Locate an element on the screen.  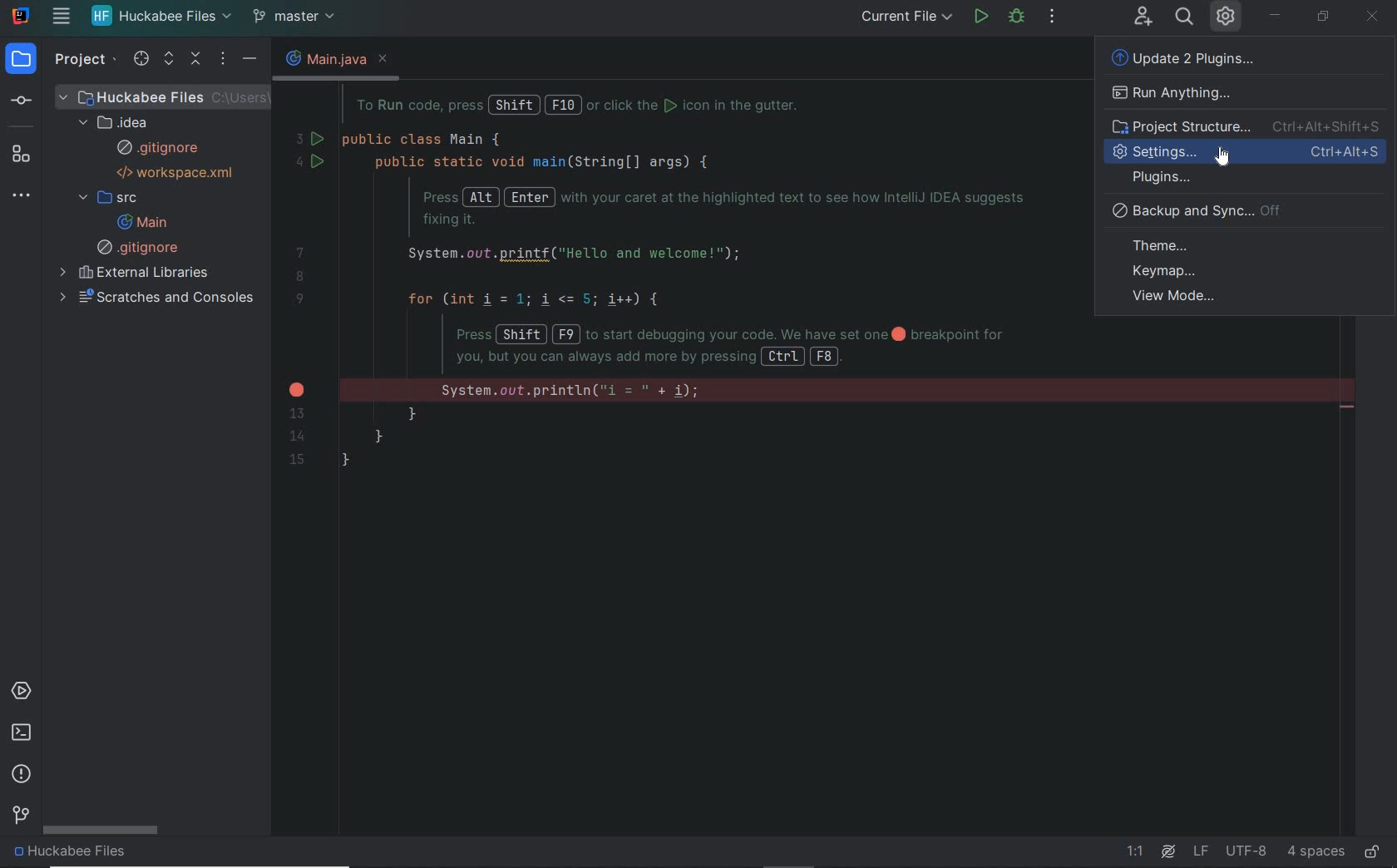
update 2 plugins is located at coordinates (1196, 60).